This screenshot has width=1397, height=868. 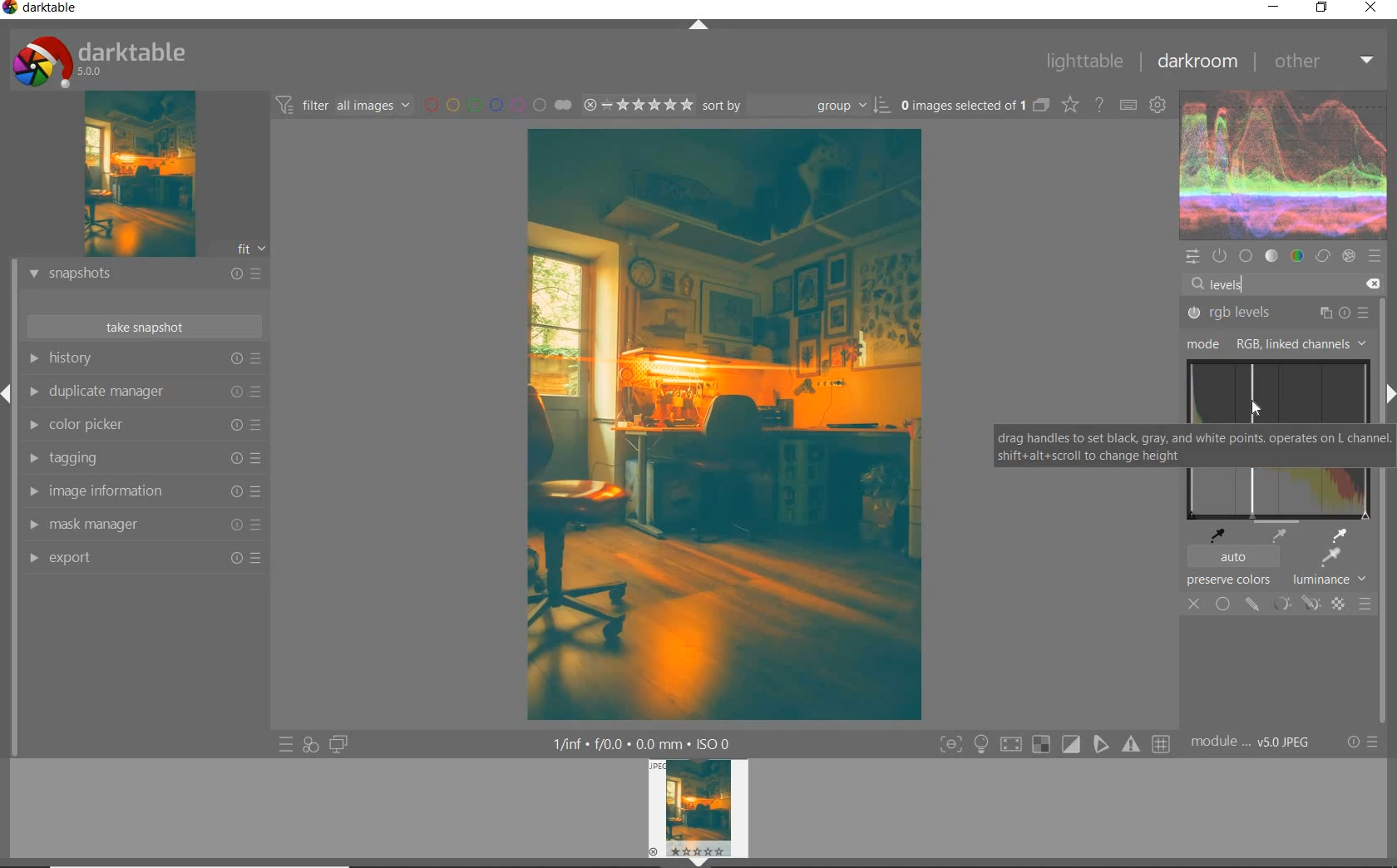 What do you see at coordinates (1191, 257) in the screenshot?
I see `quick access panel` at bounding box center [1191, 257].